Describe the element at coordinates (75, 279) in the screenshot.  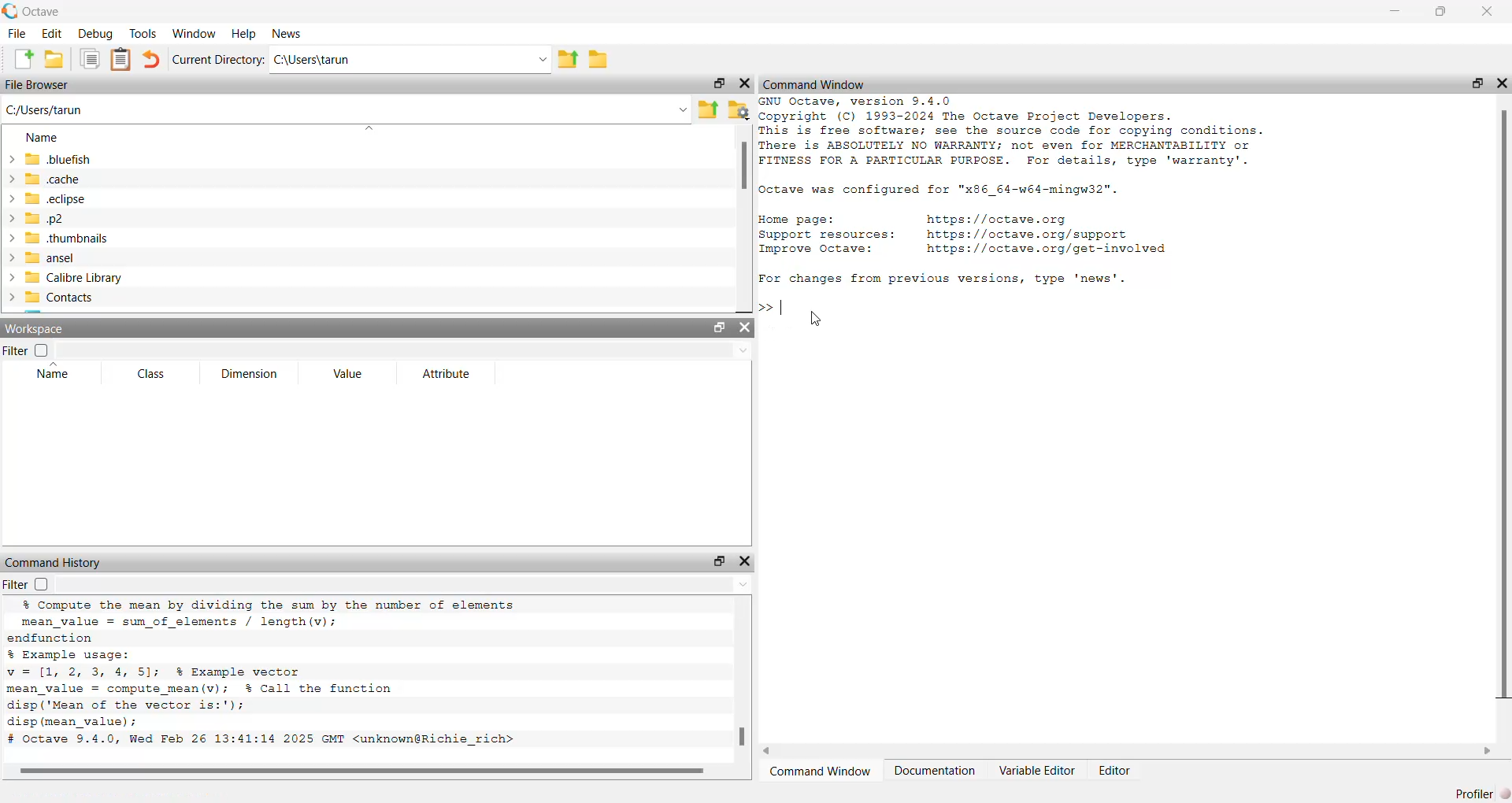
I see `calibre library` at that location.